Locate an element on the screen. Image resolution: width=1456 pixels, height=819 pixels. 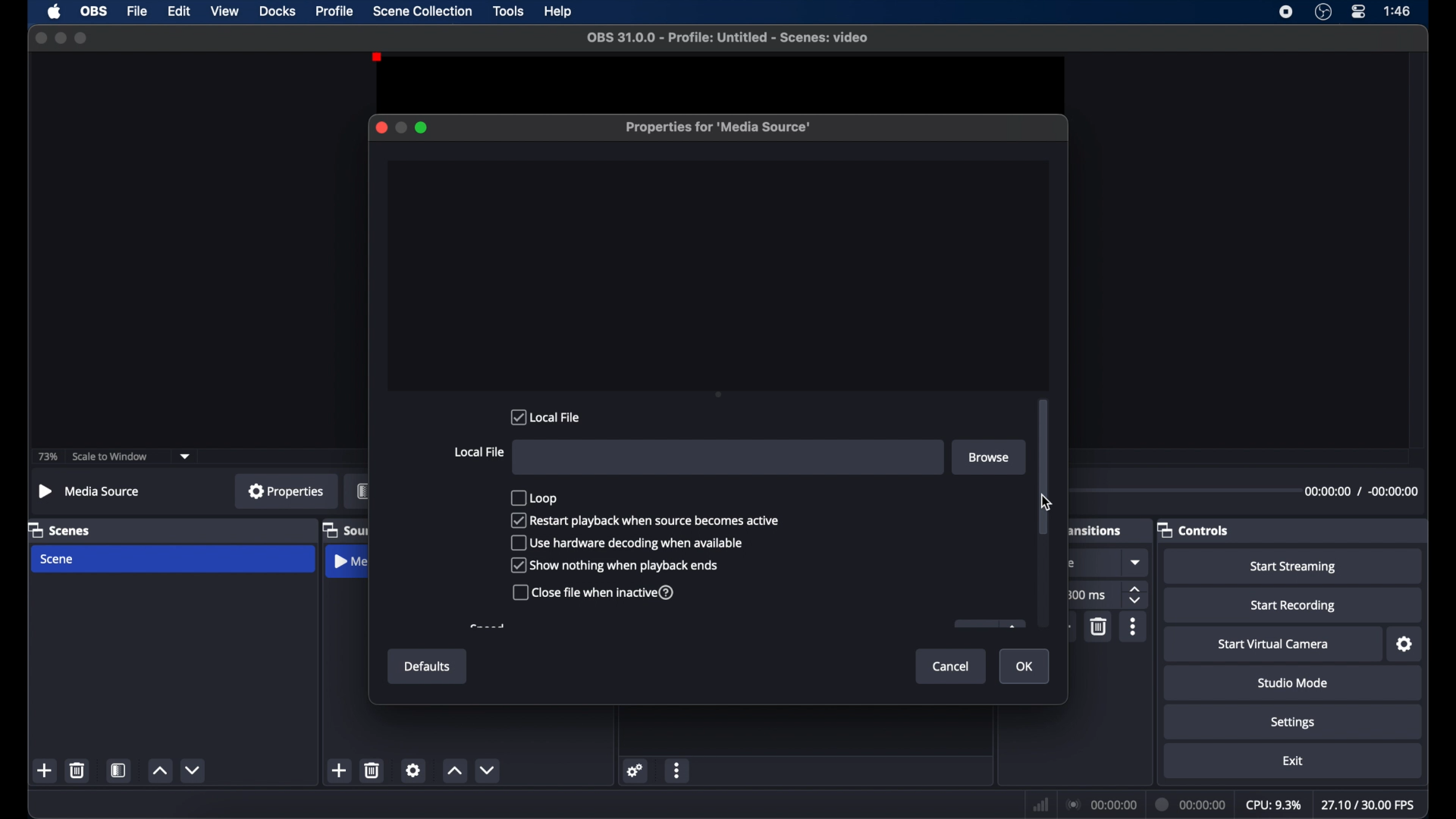
scene is located at coordinates (58, 560).